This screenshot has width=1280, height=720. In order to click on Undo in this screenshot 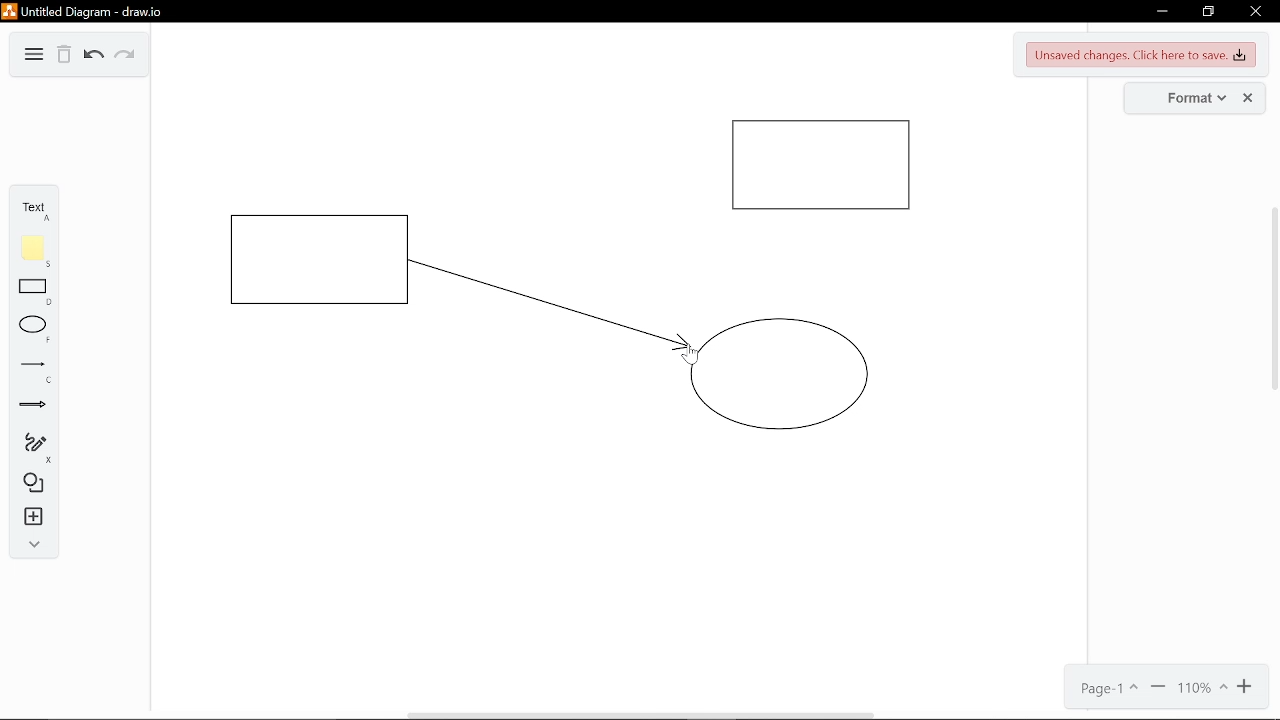, I will do `click(94, 57)`.